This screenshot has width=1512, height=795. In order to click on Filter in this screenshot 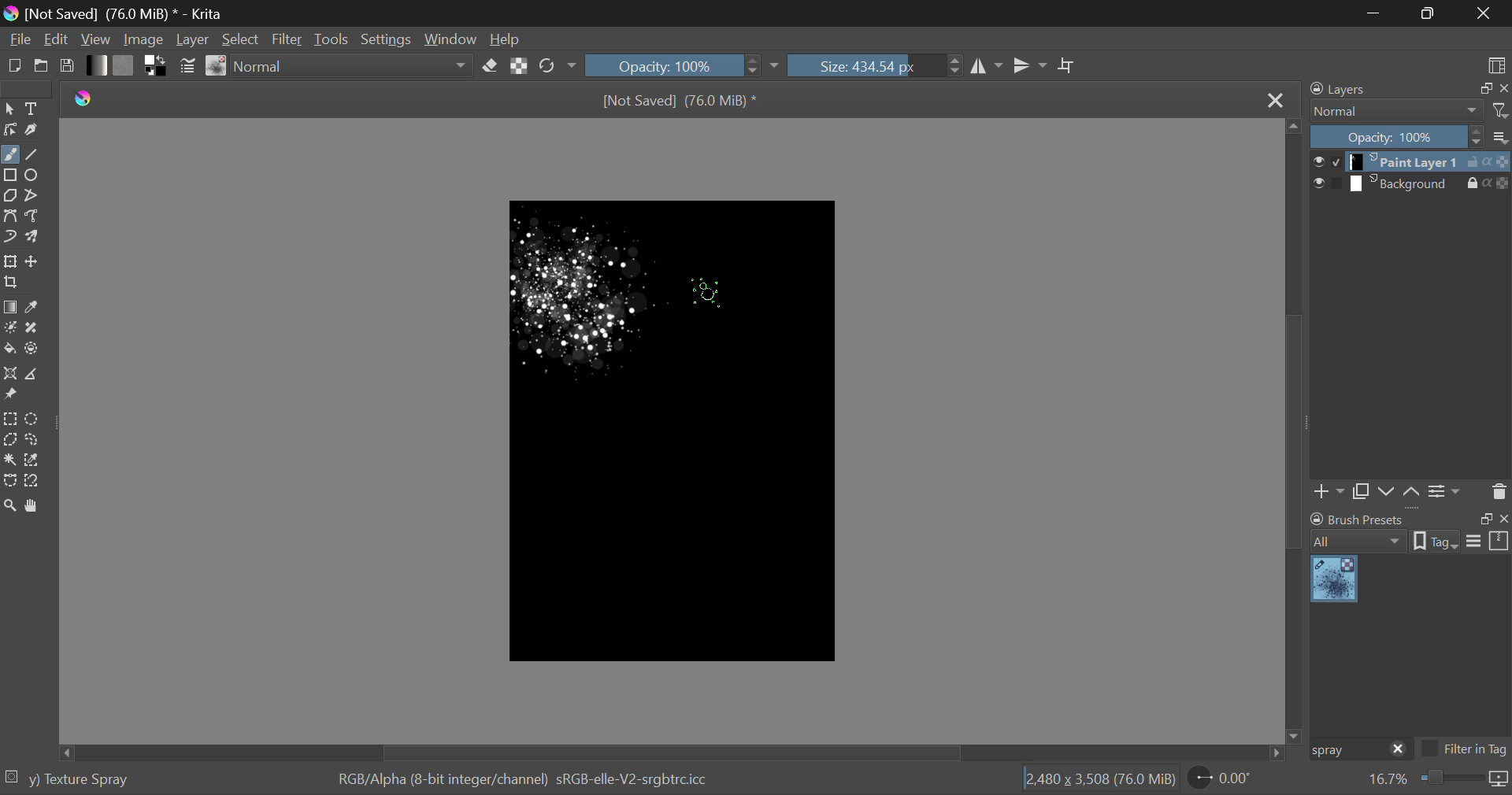, I will do `click(287, 39)`.